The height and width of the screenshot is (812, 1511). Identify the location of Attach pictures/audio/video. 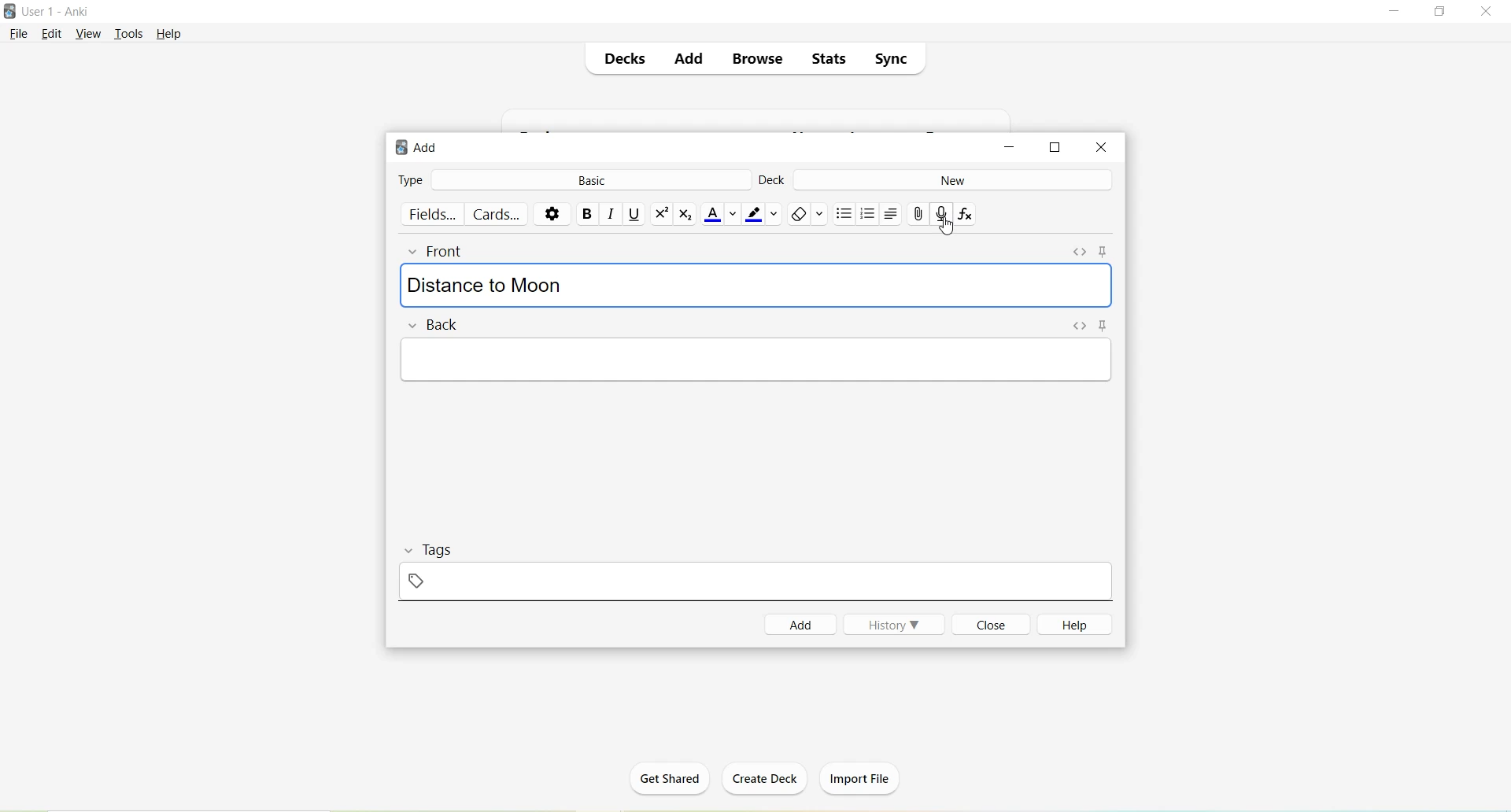
(918, 213).